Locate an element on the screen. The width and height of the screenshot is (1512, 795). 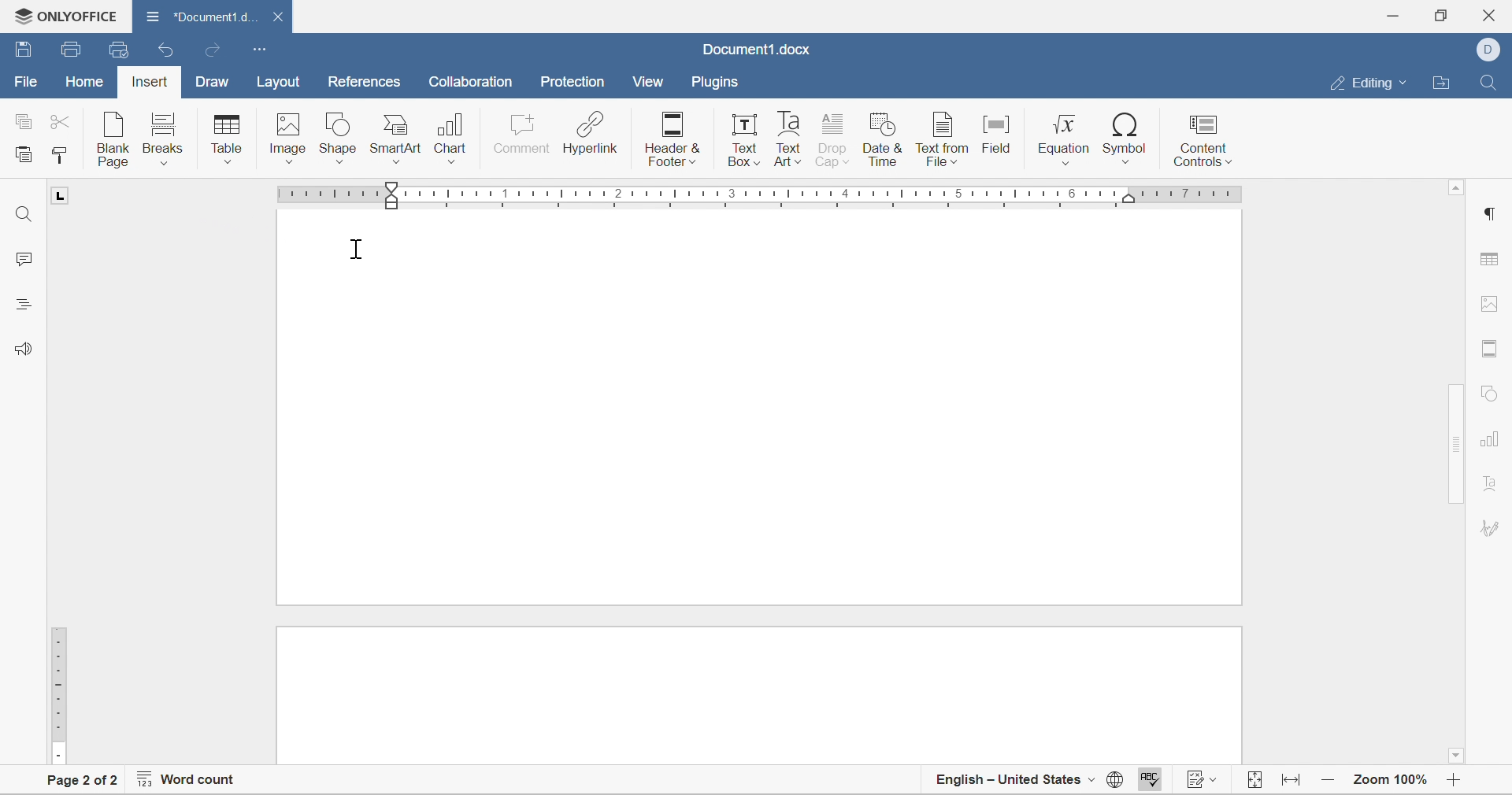
left tab is located at coordinates (66, 194).